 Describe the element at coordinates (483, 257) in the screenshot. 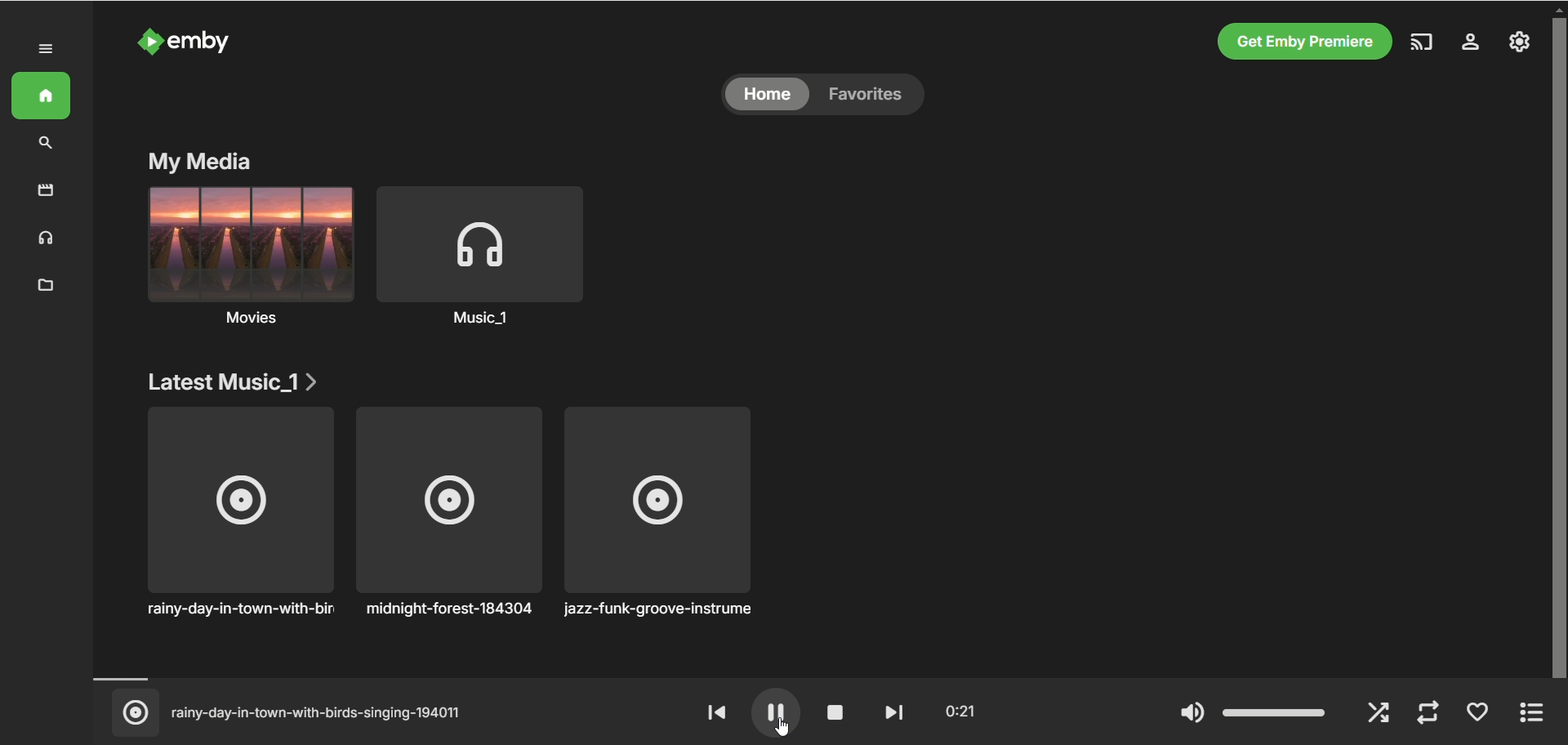

I see `music` at that location.